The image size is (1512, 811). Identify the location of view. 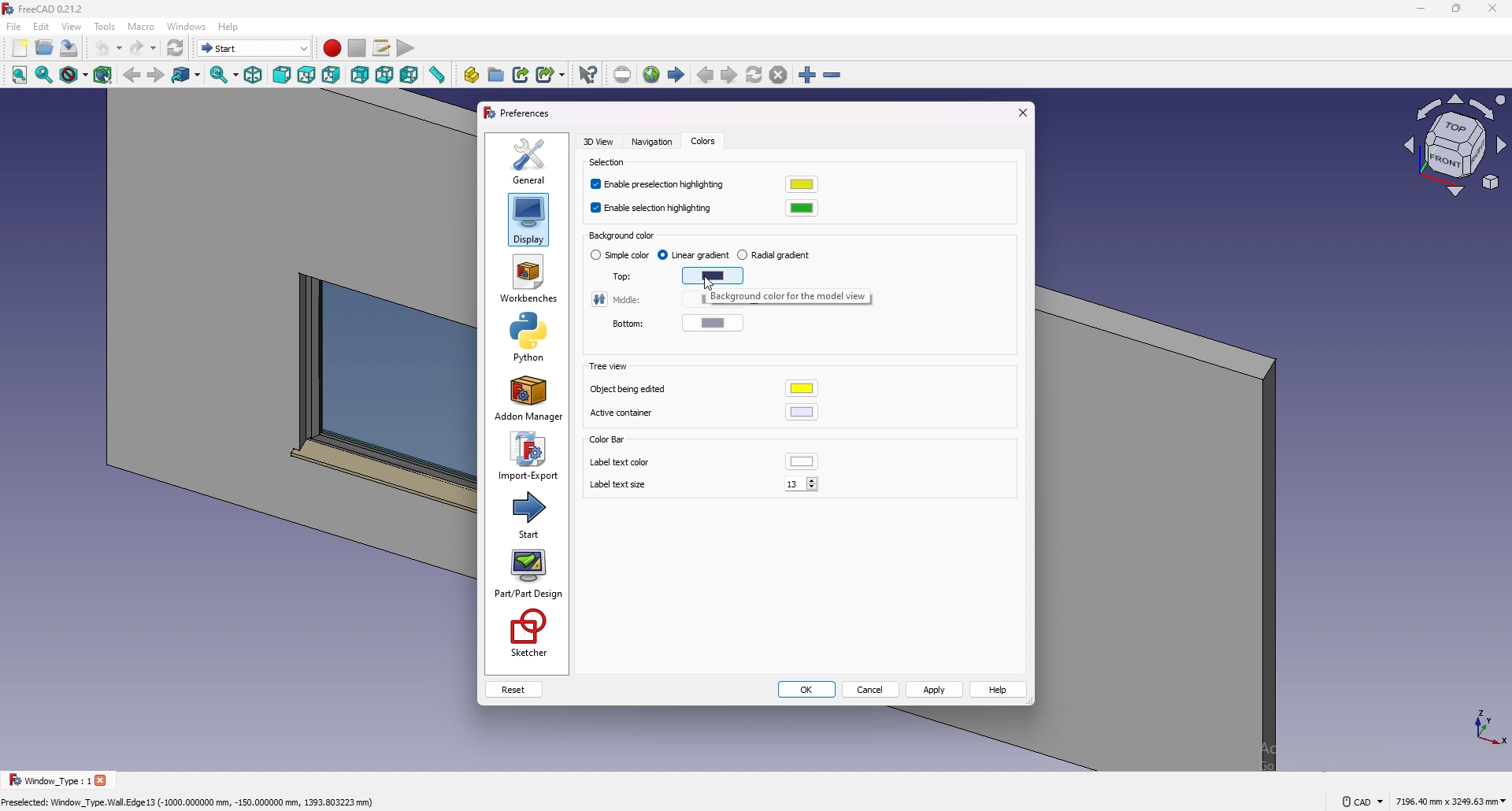
(1456, 148).